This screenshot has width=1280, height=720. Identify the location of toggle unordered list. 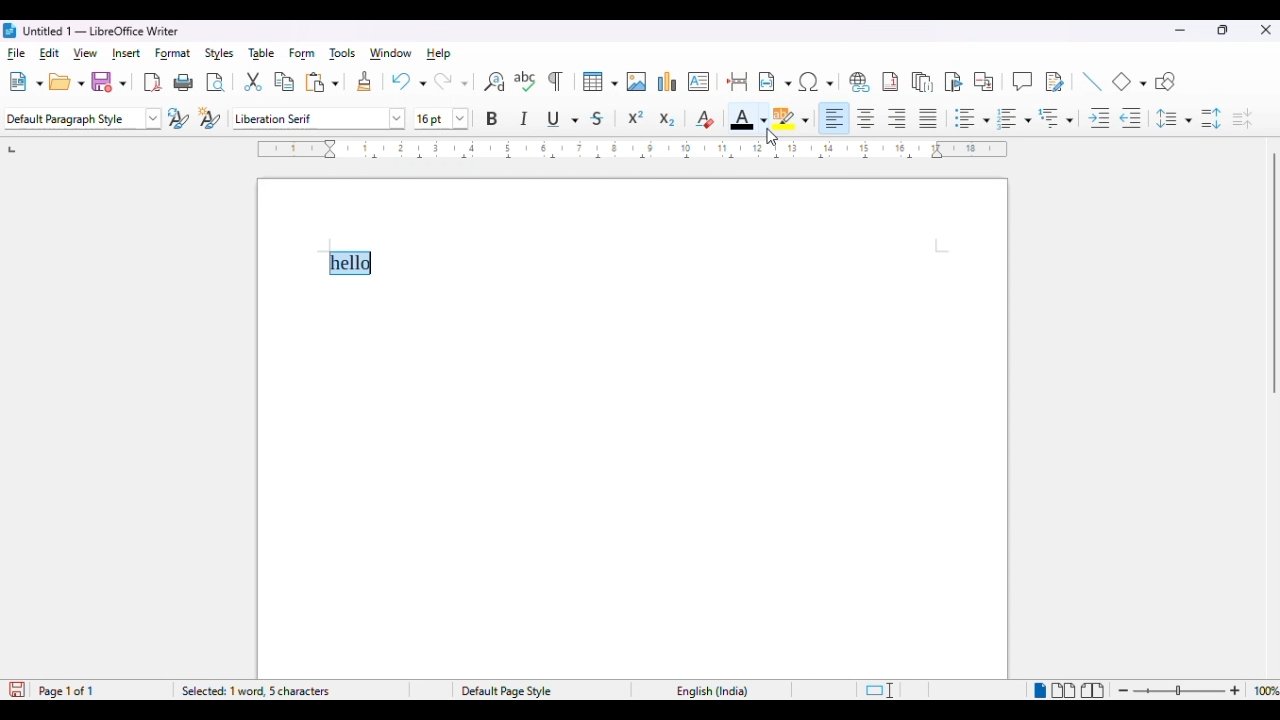
(971, 118).